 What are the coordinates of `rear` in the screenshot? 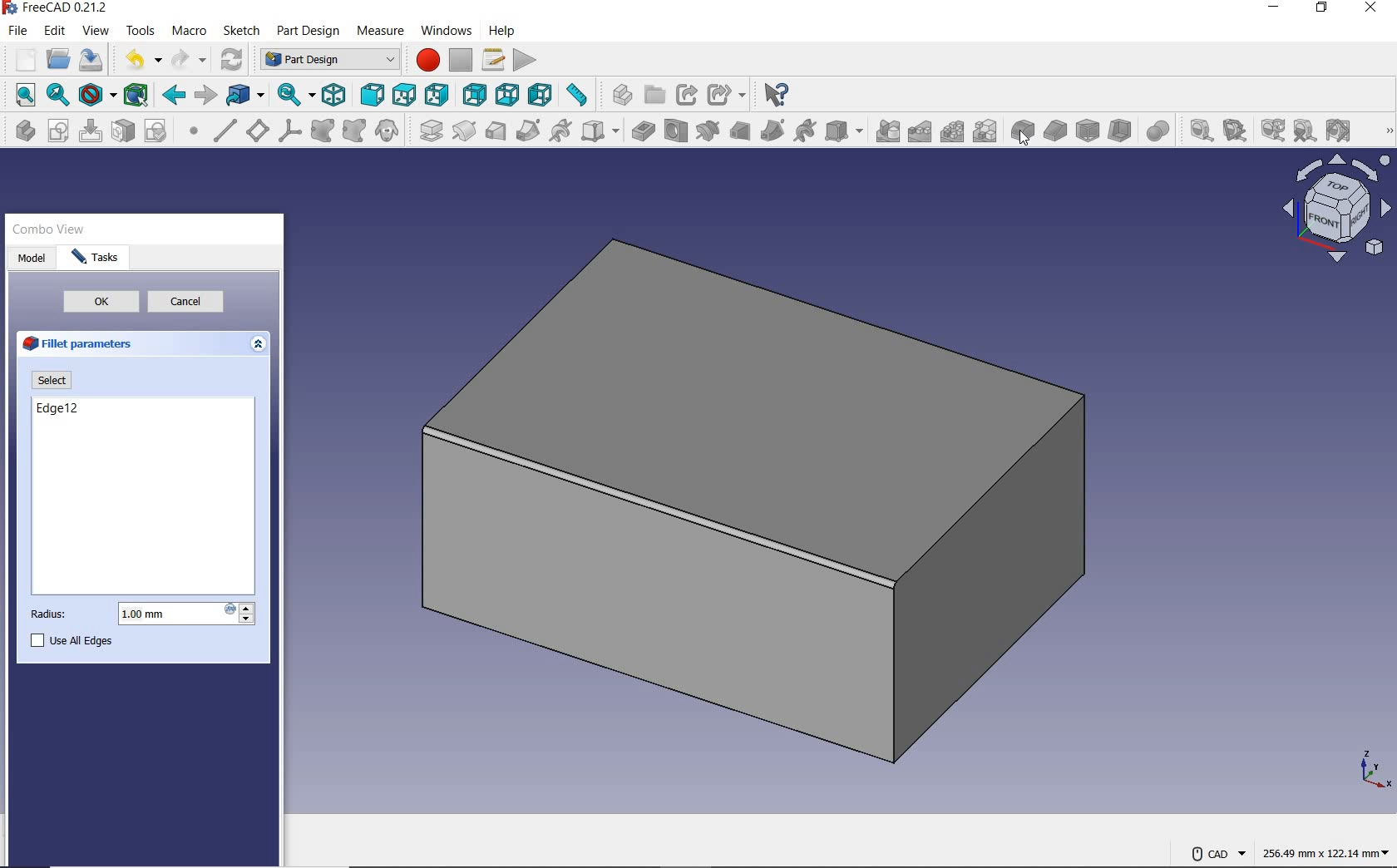 It's located at (475, 94).